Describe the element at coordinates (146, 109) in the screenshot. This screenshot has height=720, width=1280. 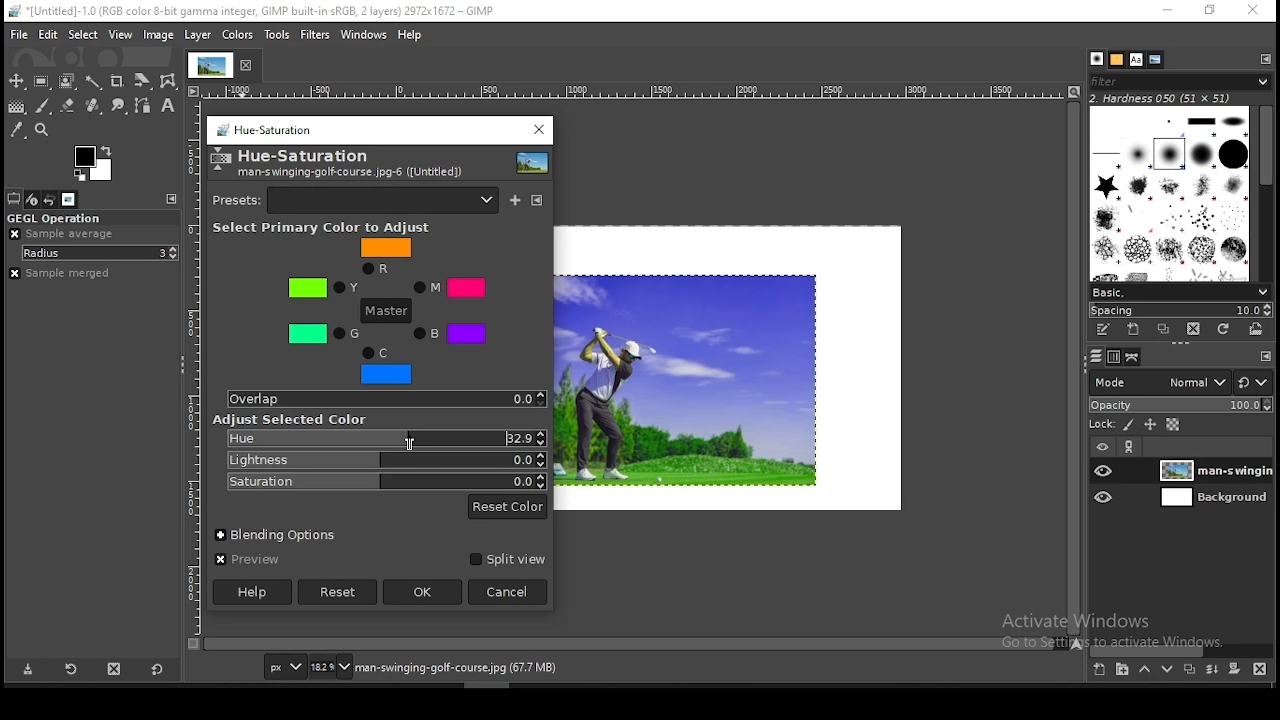
I see `paths tool` at that location.